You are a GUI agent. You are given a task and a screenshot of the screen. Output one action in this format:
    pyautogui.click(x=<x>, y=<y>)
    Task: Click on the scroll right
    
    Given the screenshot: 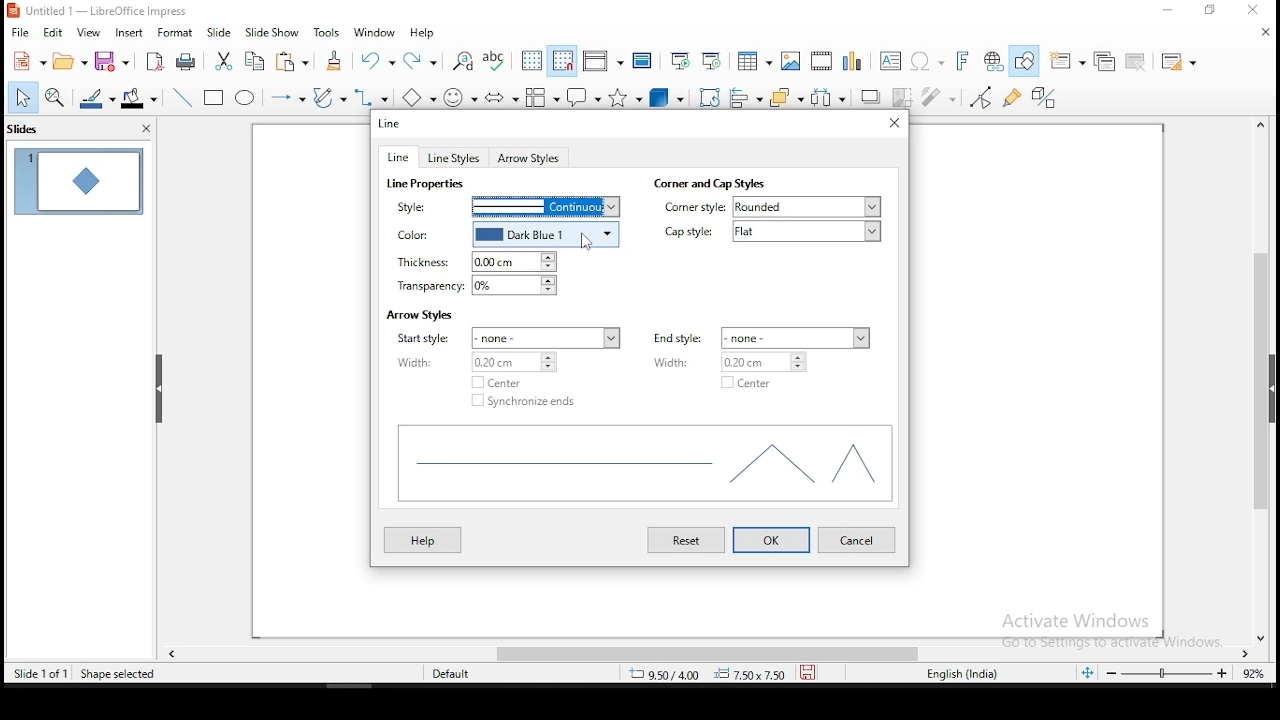 What is the action you would take?
    pyautogui.click(x=1249, y=651)
    